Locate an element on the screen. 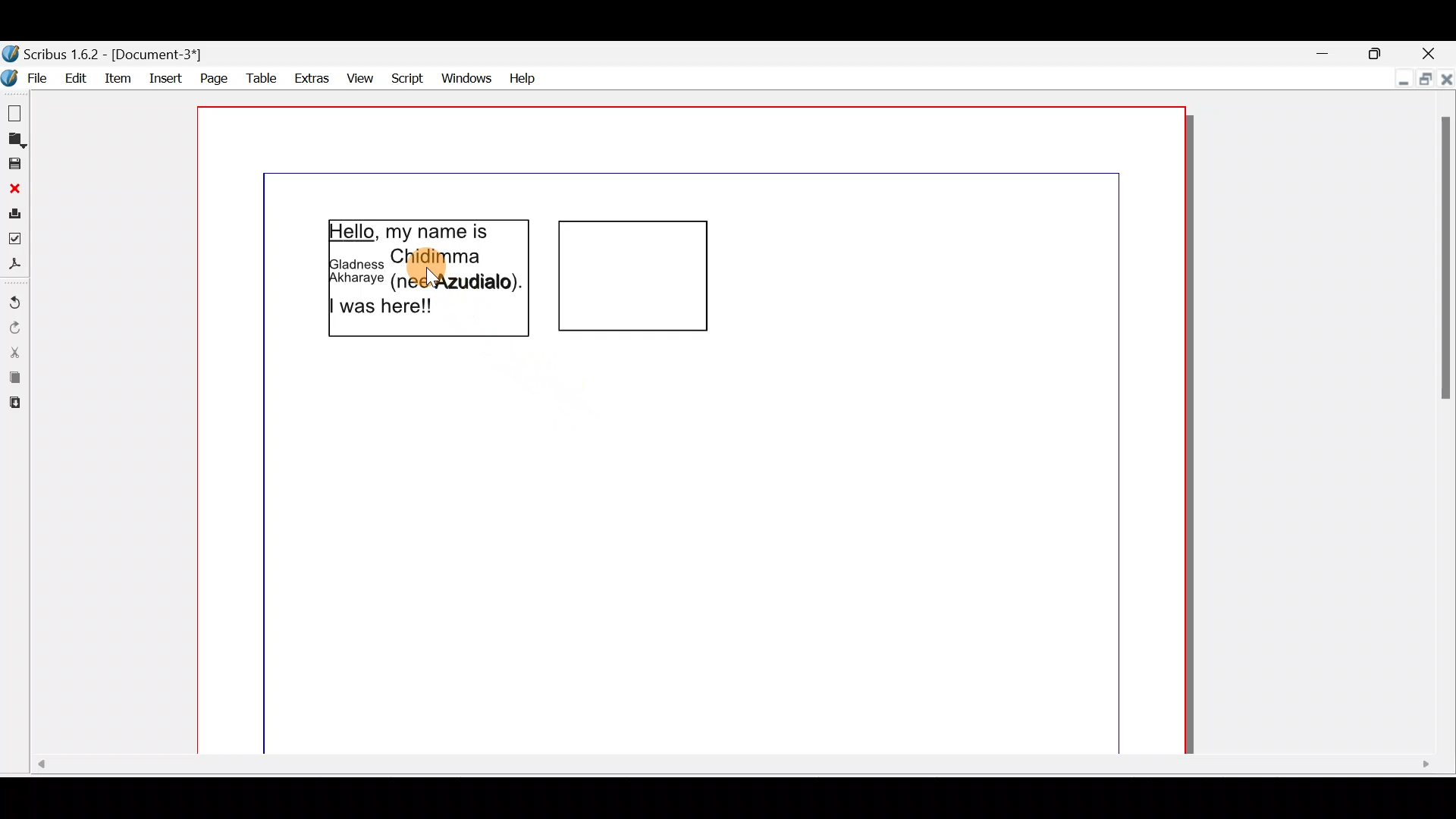 This screenshot has width=1456, height=819. Close is located at coordinates (1429, 52).